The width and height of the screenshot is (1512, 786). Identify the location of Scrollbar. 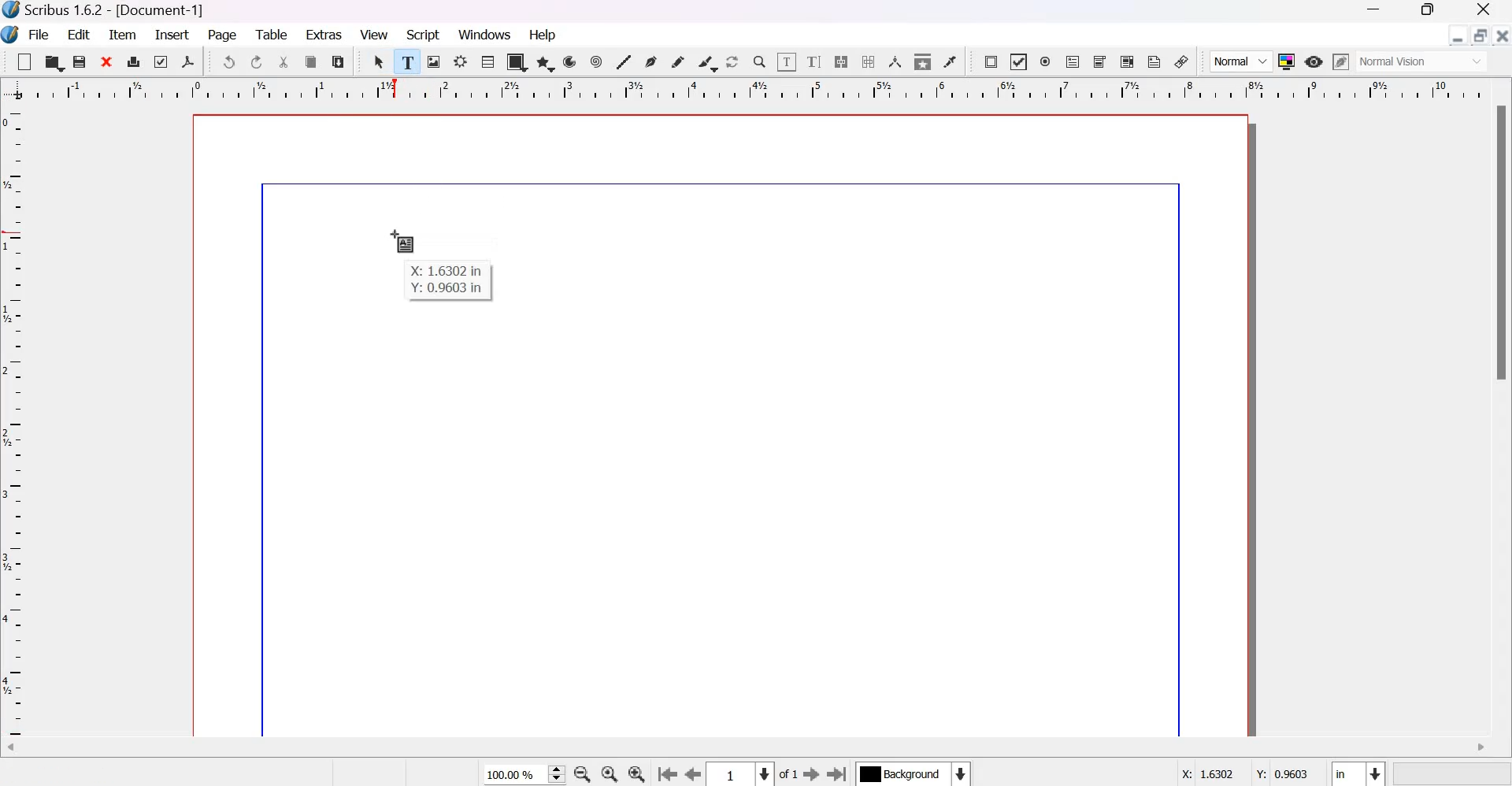
(1503, 244).